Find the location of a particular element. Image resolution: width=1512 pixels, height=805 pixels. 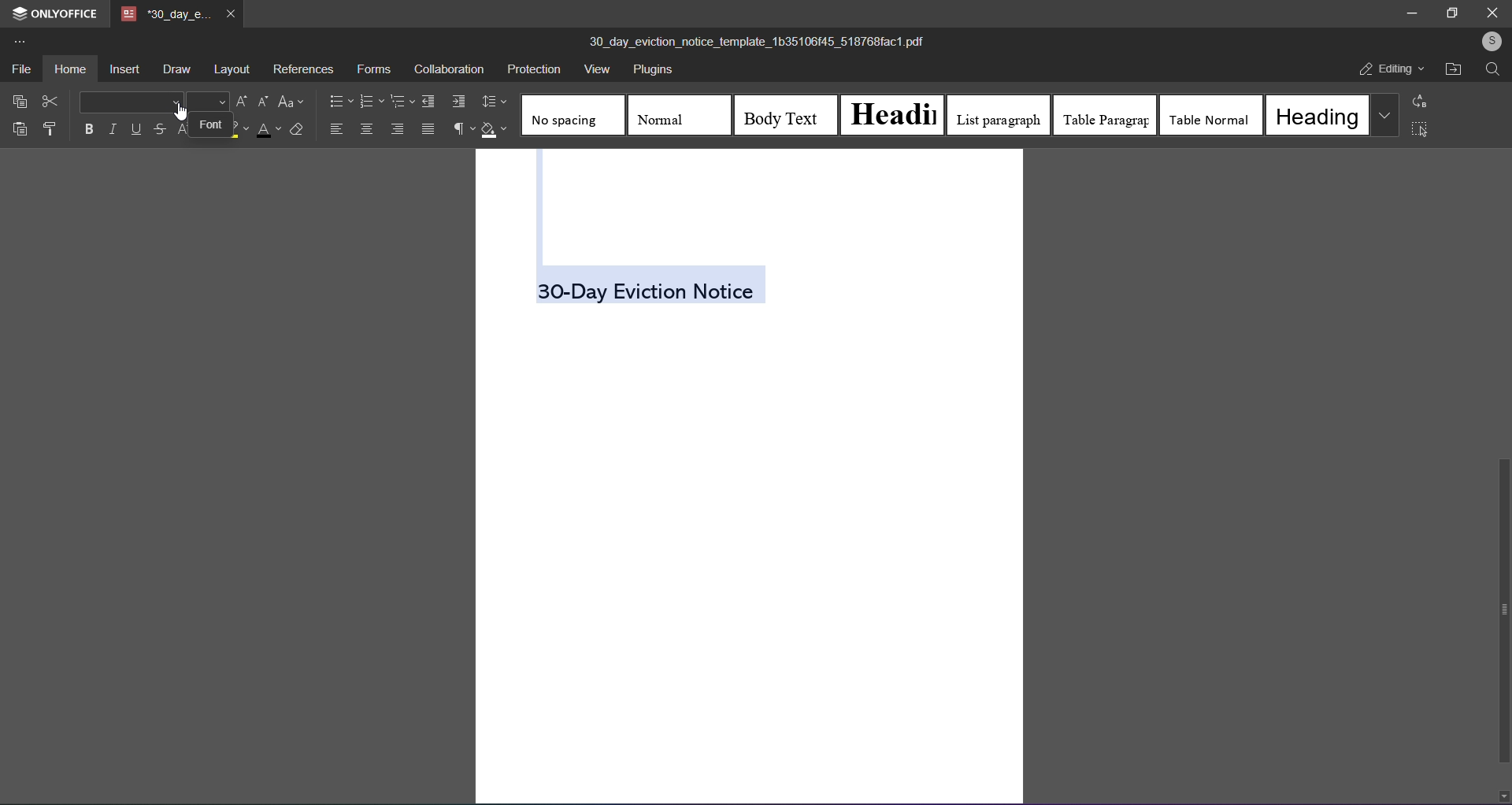

font color is located at coordinates (265, 131).